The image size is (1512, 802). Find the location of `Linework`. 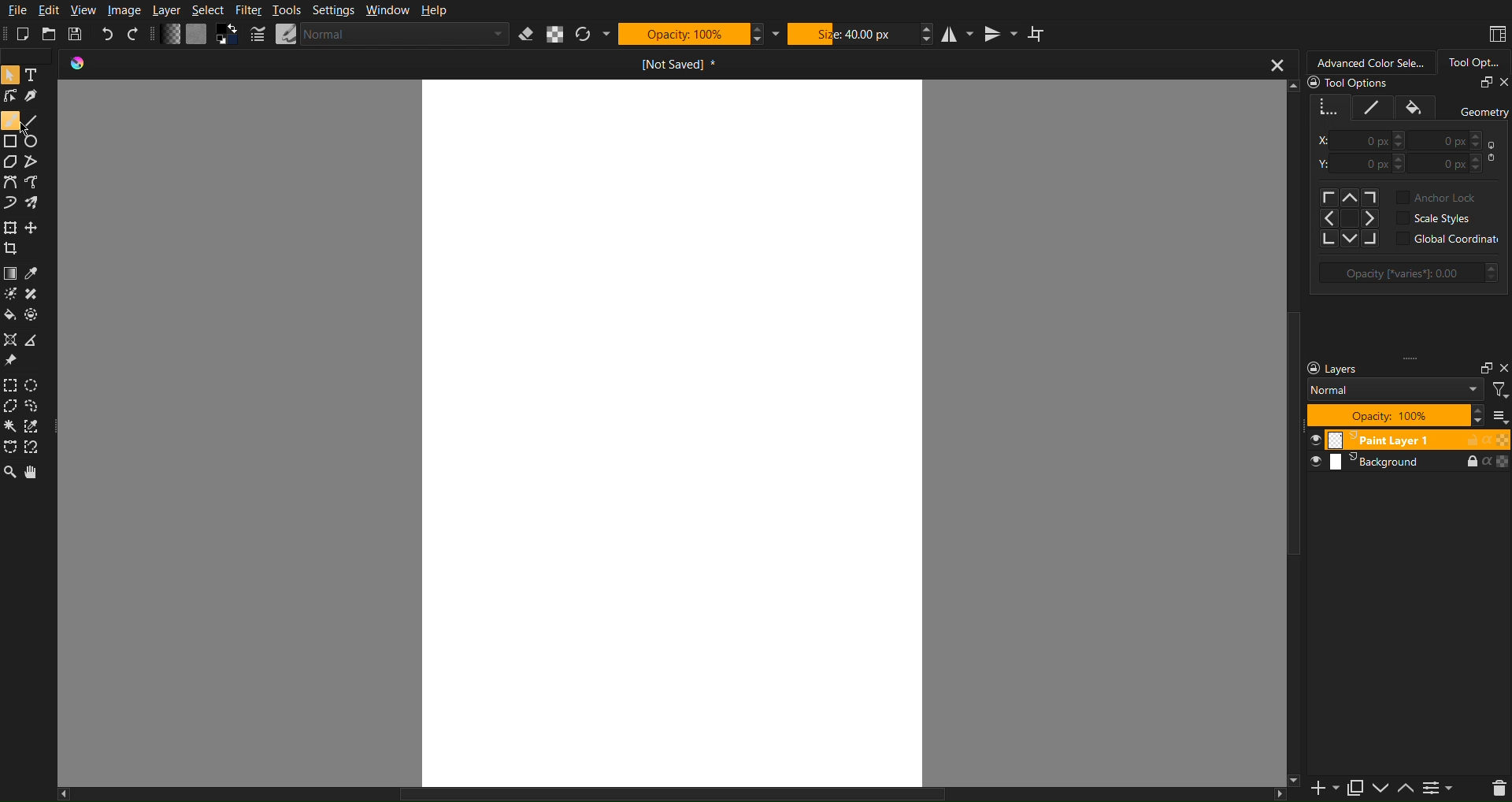

Linework is located at coordinates (11, 97).